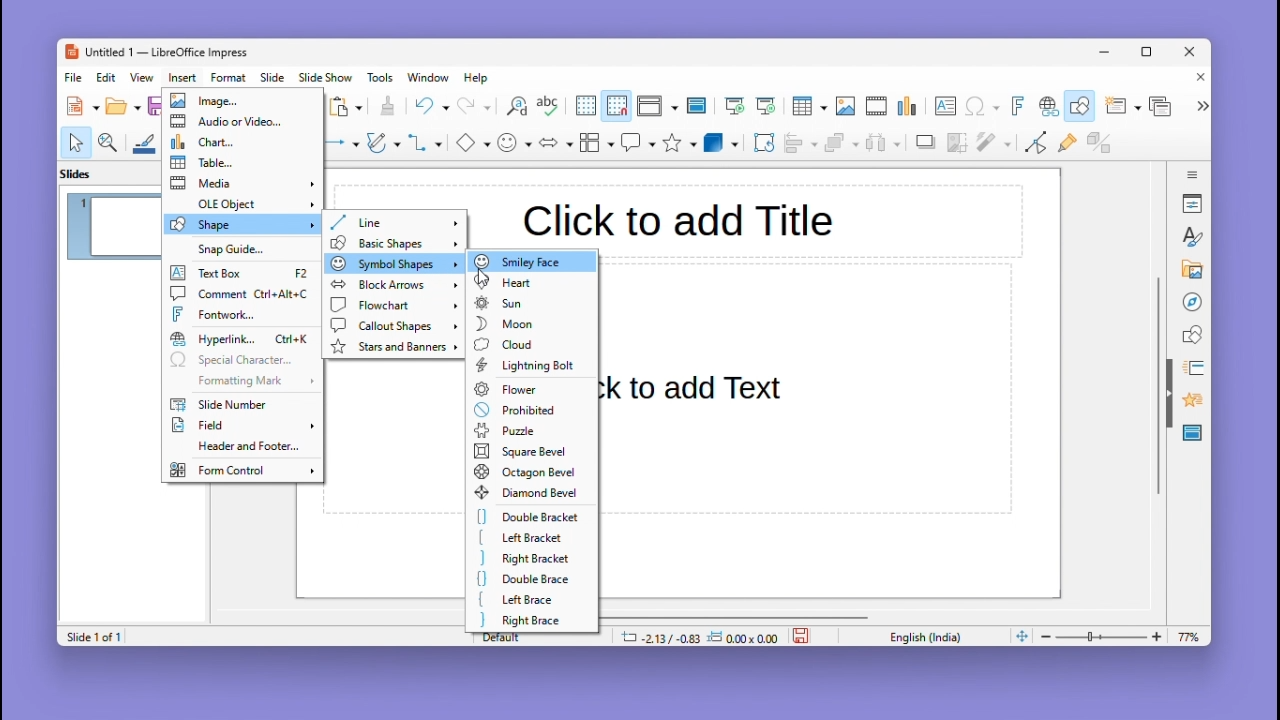  What do you see at coordinates (556, 141) in the screenshot?
I see `Double arrow` at bounding box center [556, 141].